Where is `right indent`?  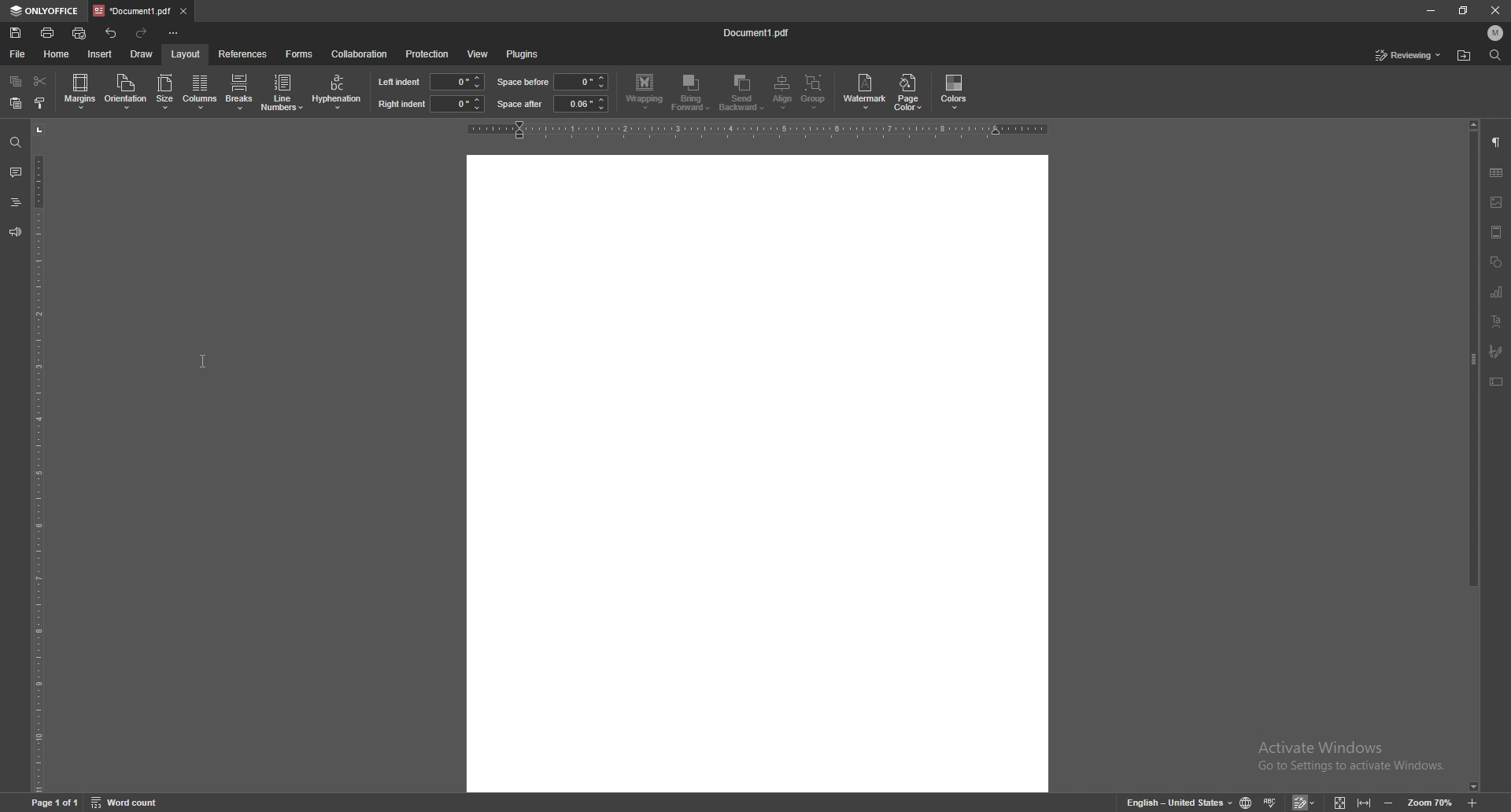
right indent is located at coordinates (401, 105).